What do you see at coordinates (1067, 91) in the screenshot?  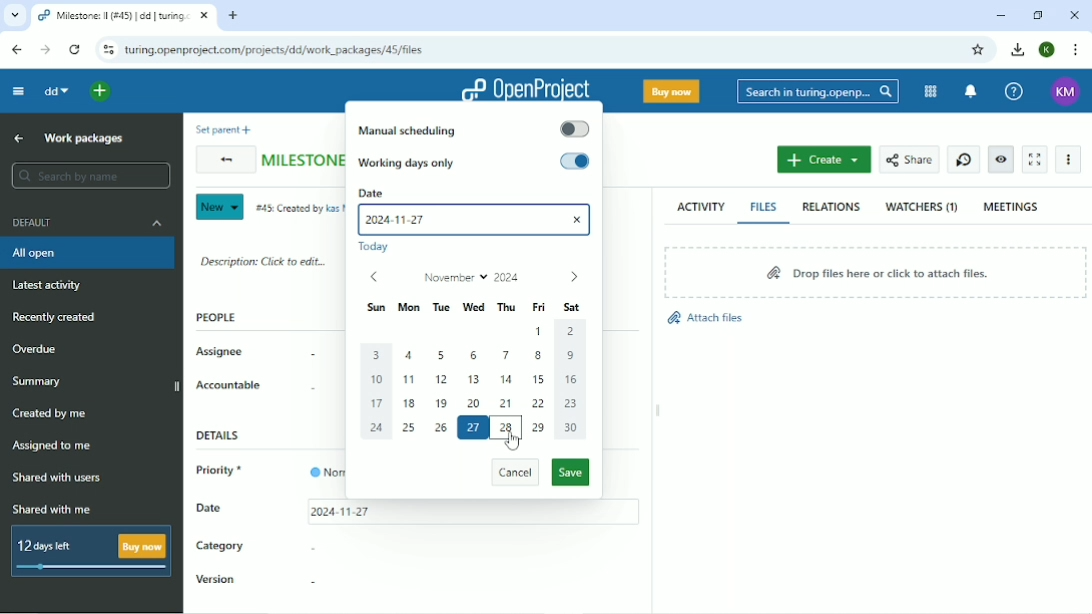 I see `KM` at bounding box center [1067, 91].